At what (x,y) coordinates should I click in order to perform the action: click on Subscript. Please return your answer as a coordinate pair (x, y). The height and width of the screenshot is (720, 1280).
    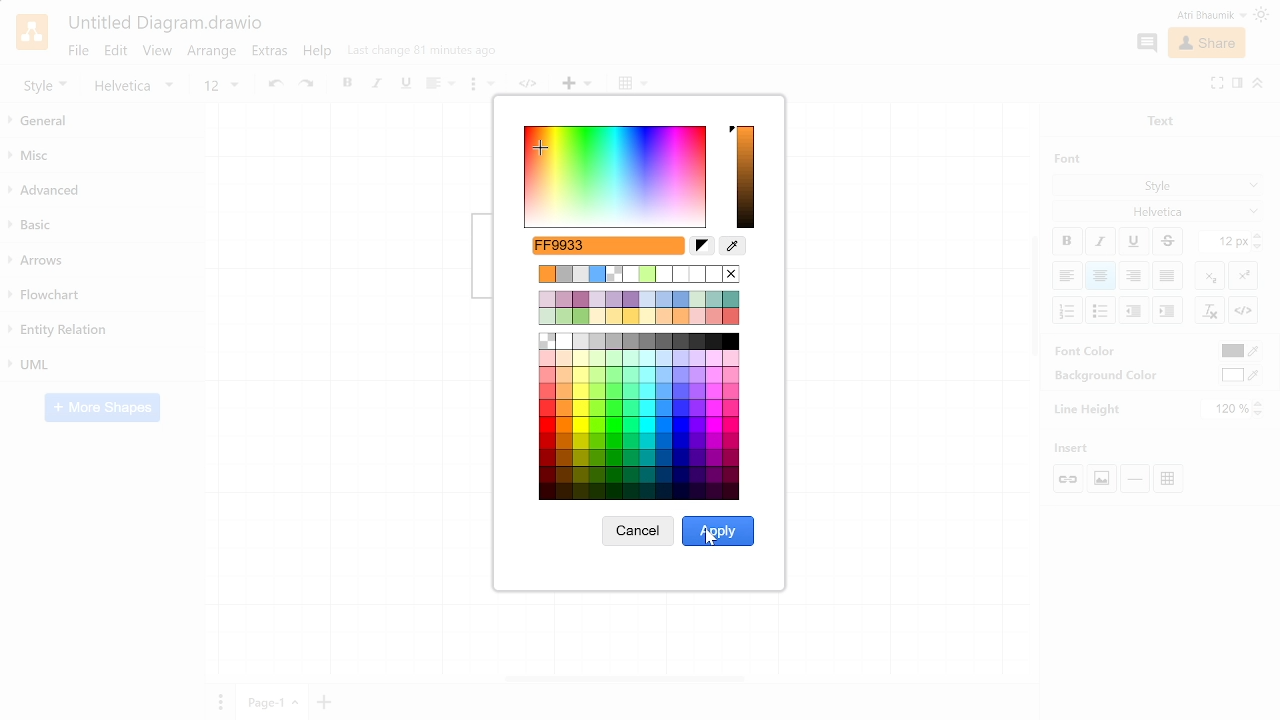
    Looking at the image, I should click on (1210, 275).